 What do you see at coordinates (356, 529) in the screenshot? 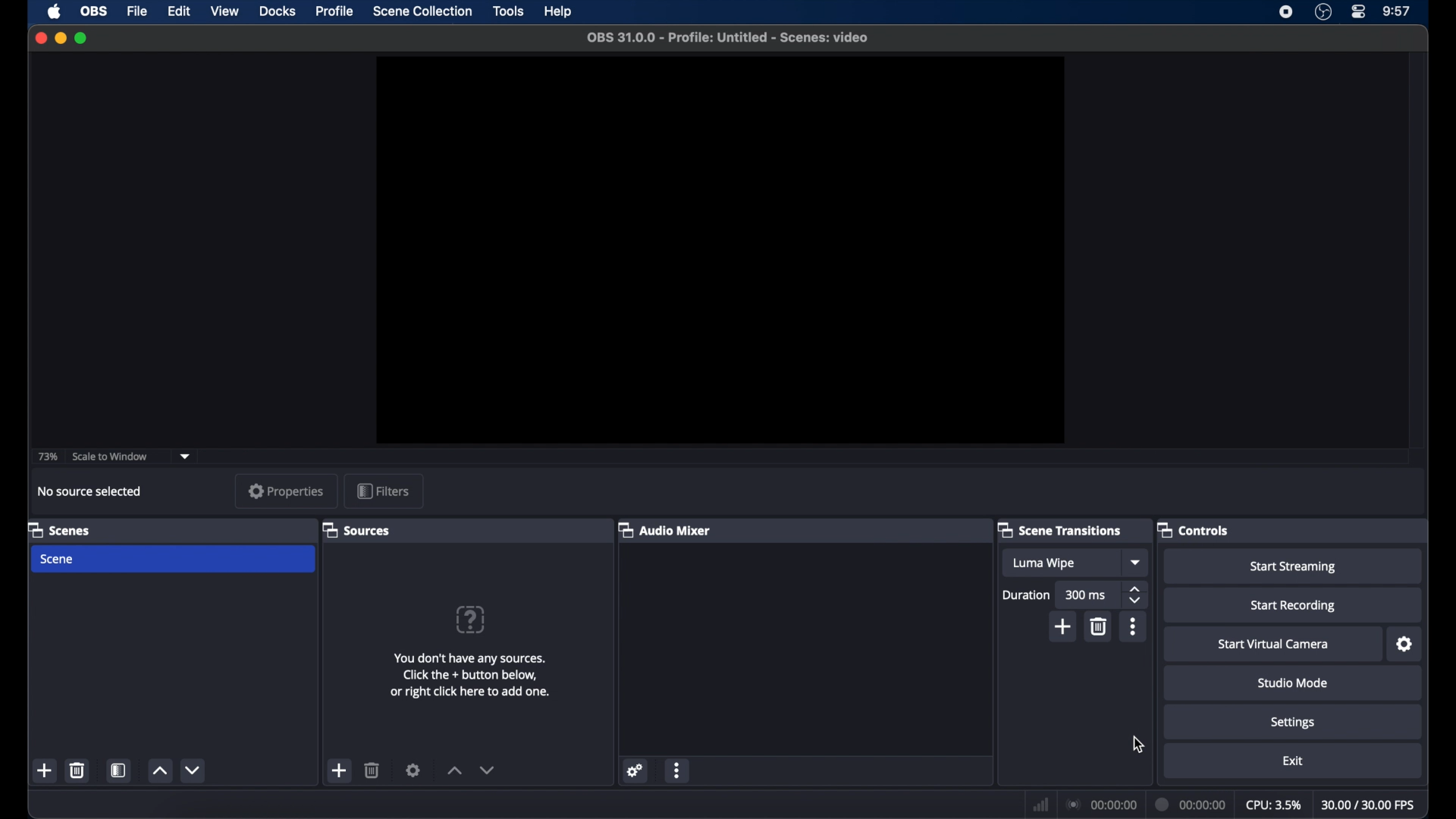
I see `sources` at bounding box center [356, 529].